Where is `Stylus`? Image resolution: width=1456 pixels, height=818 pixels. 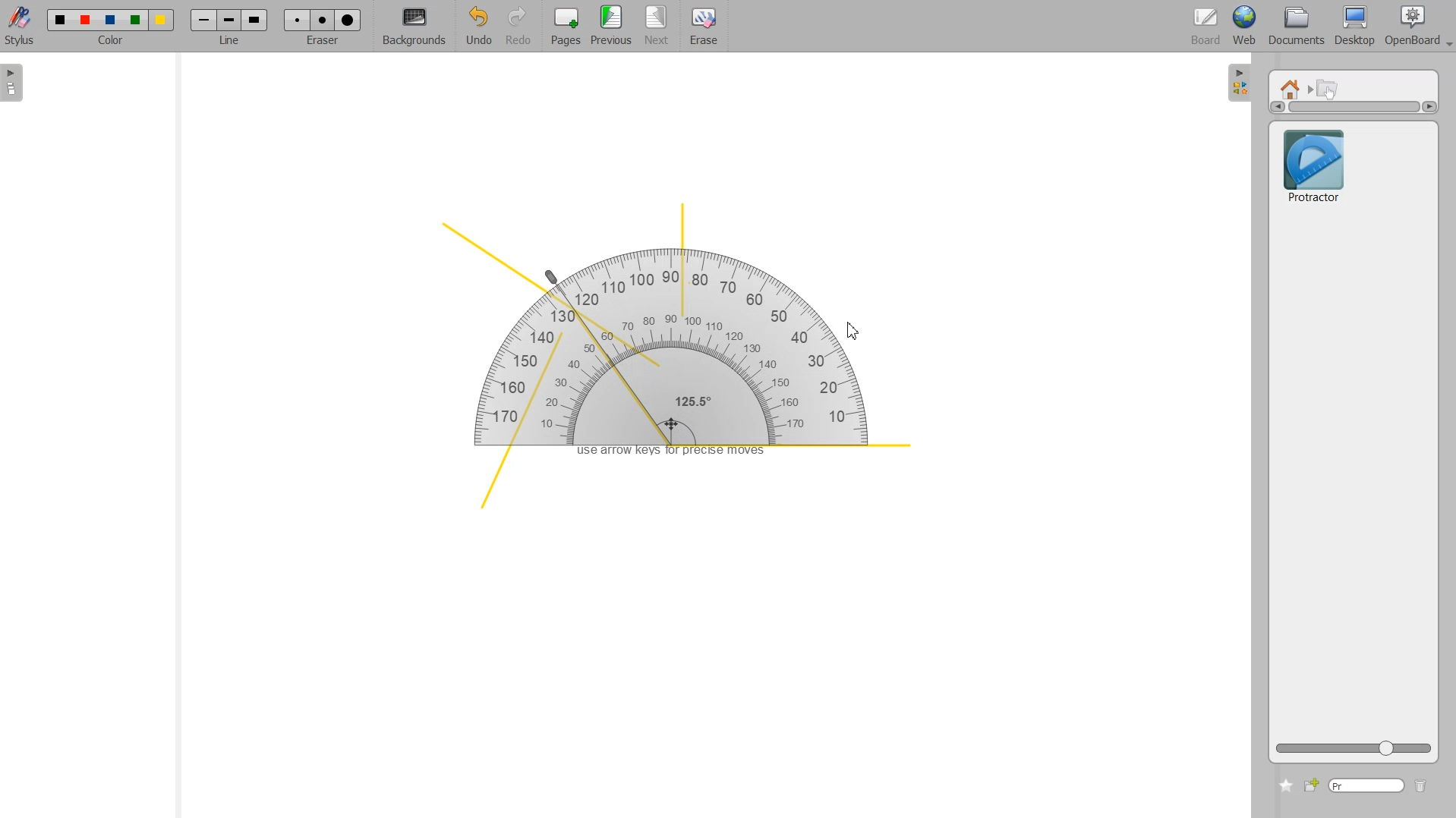 Stylus is located at coordinates (21, 25).